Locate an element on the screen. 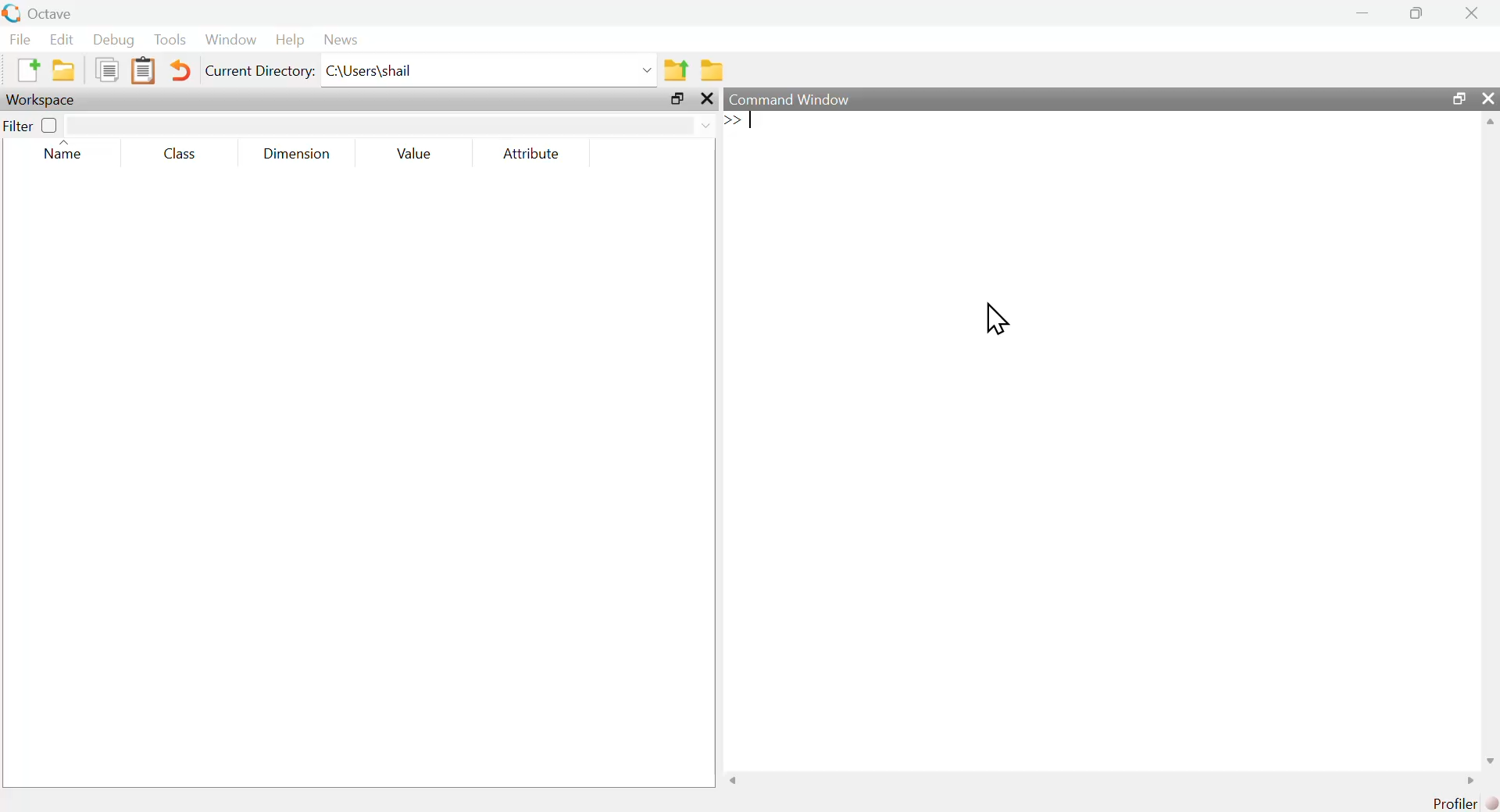  Command Window is located at coordinates (794, 100).